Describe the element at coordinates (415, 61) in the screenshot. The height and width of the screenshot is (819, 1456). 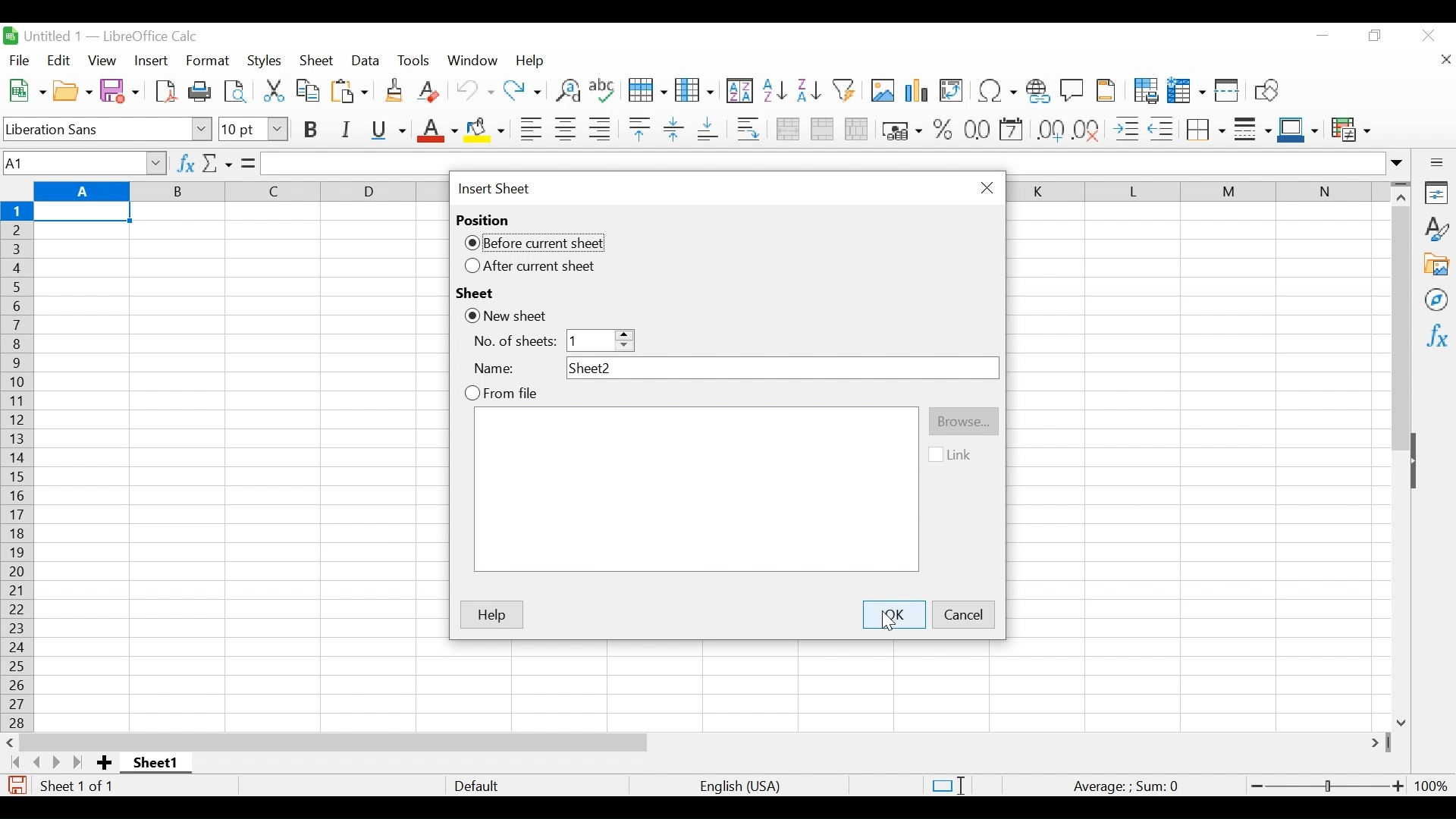
I see `Tools` at that location.